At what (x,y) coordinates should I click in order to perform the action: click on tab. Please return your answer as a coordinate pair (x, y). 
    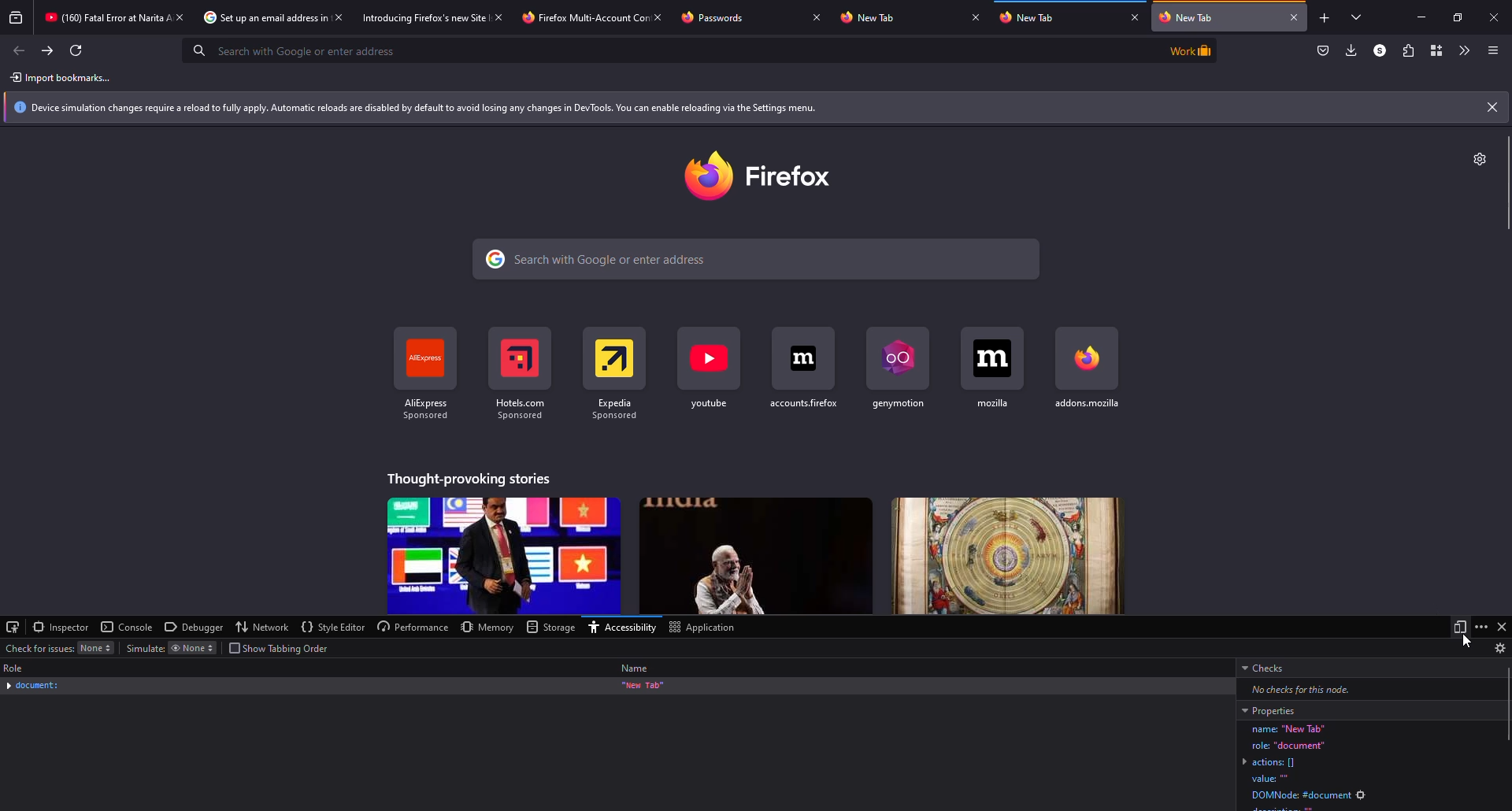
    Looking at the image, I should click on (575, 19).